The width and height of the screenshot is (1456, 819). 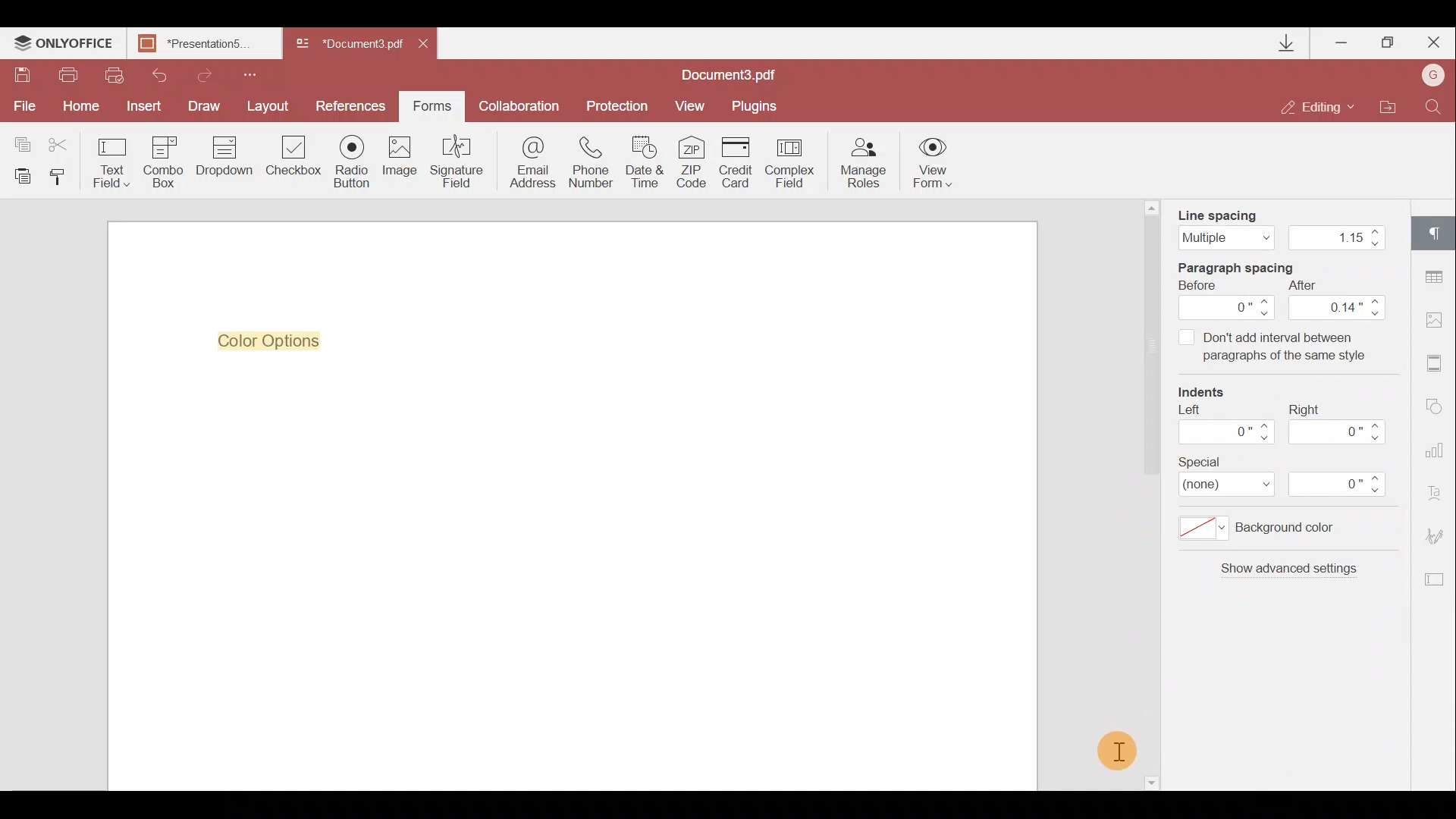 I want to click on Scroll bar, so click(x=1150, y=350).